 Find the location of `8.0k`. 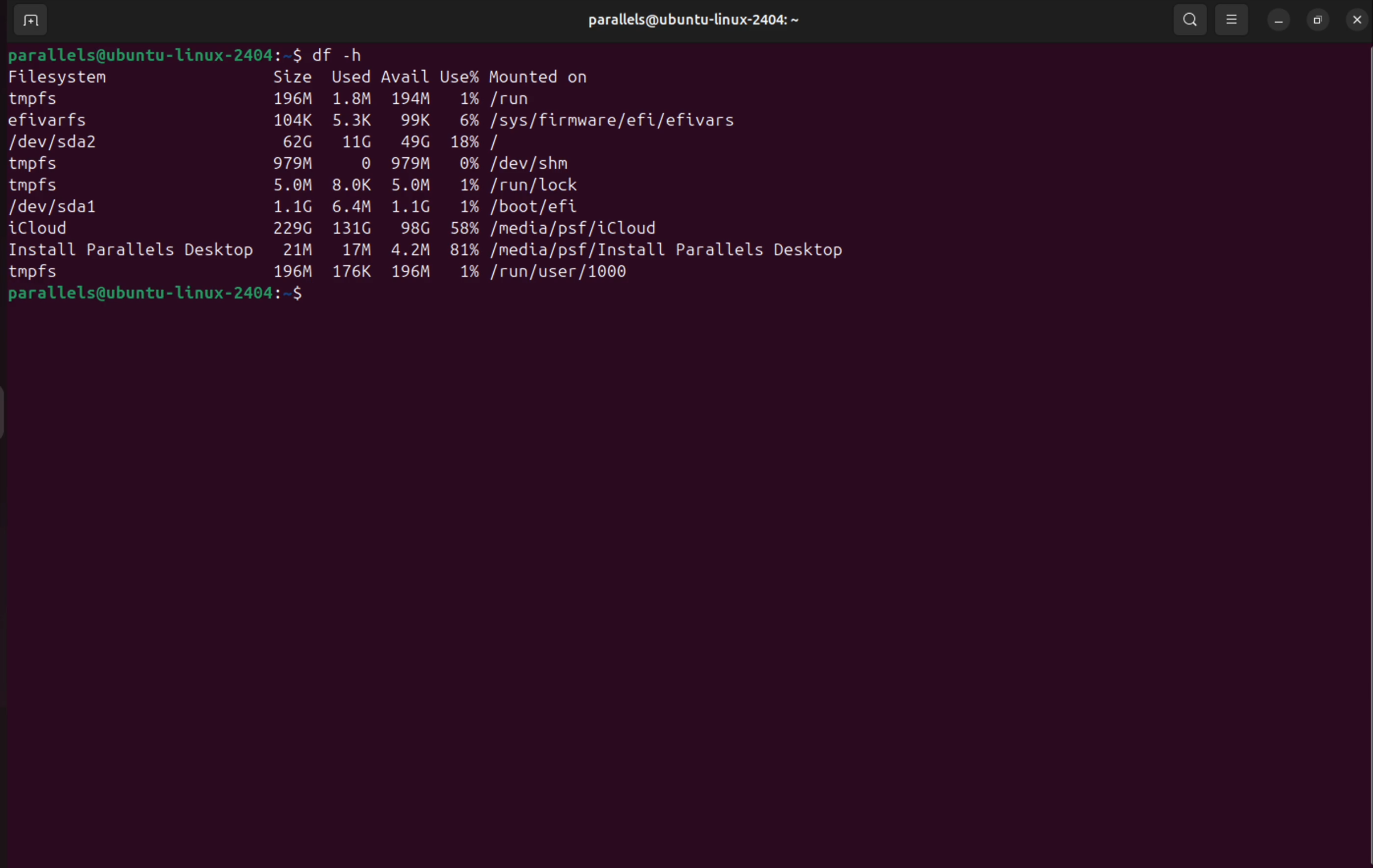

8.0k is located at coordinates (352, 185).